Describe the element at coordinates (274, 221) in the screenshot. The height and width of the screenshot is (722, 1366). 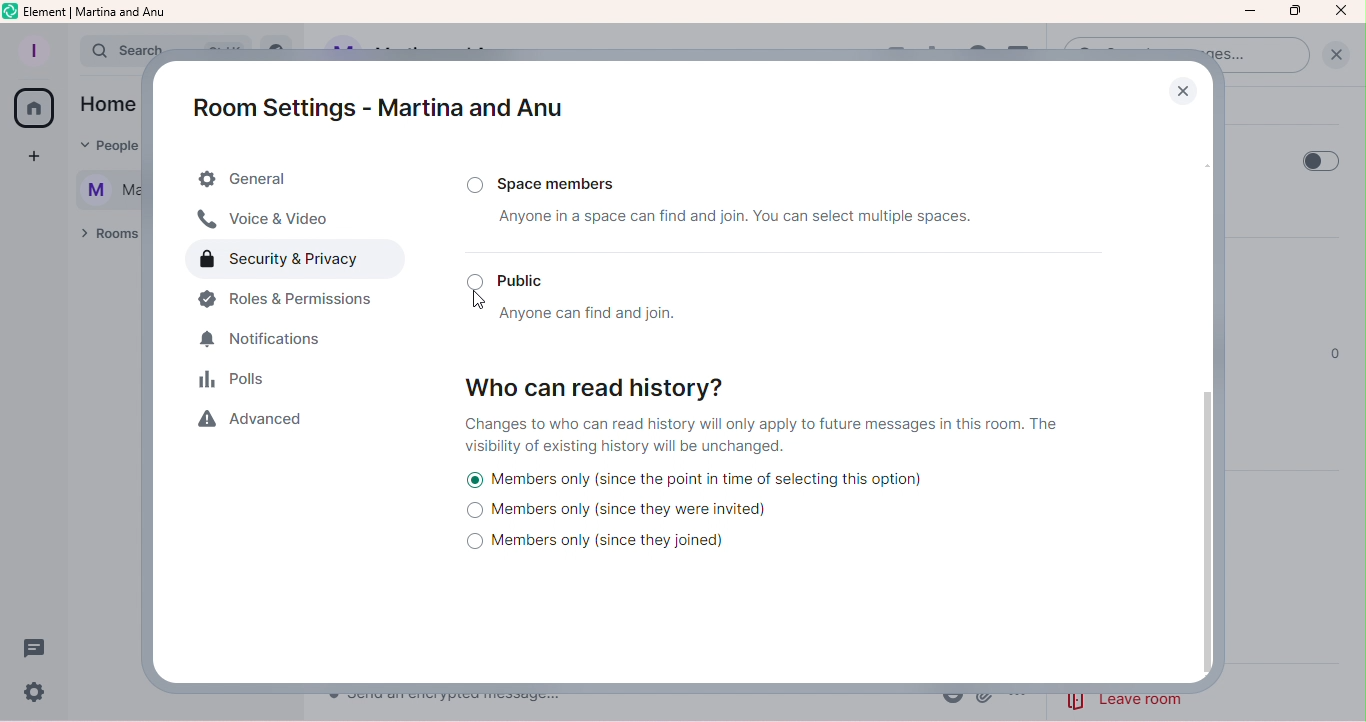
I see `Voice and video` at that location.